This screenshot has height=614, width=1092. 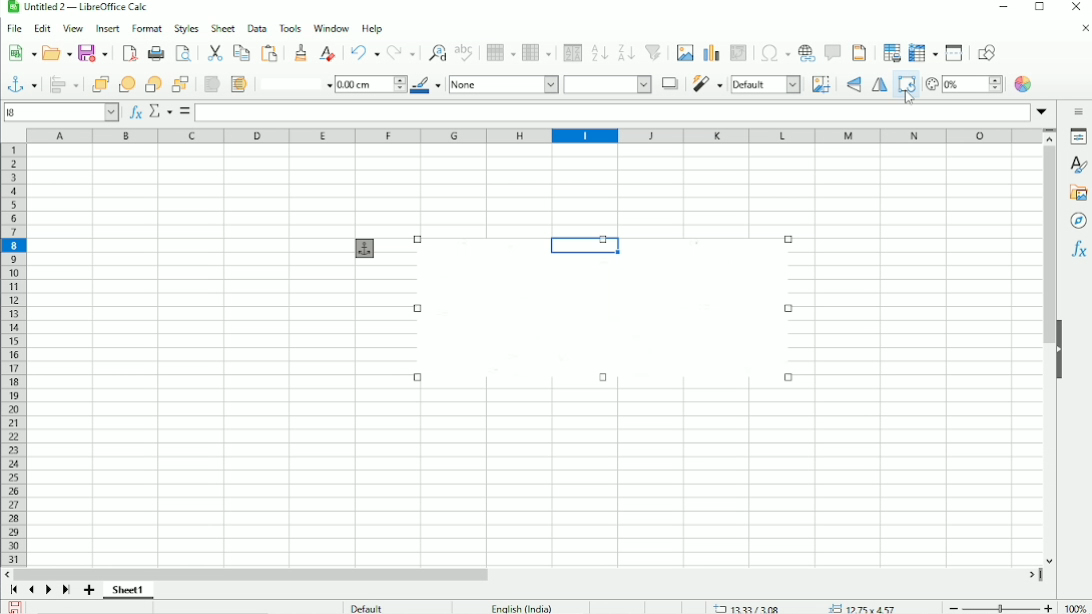 What do you see at coordinates (88, 590) in the screenshot?
I see `Add sheet` at bounding box center [88, 590].